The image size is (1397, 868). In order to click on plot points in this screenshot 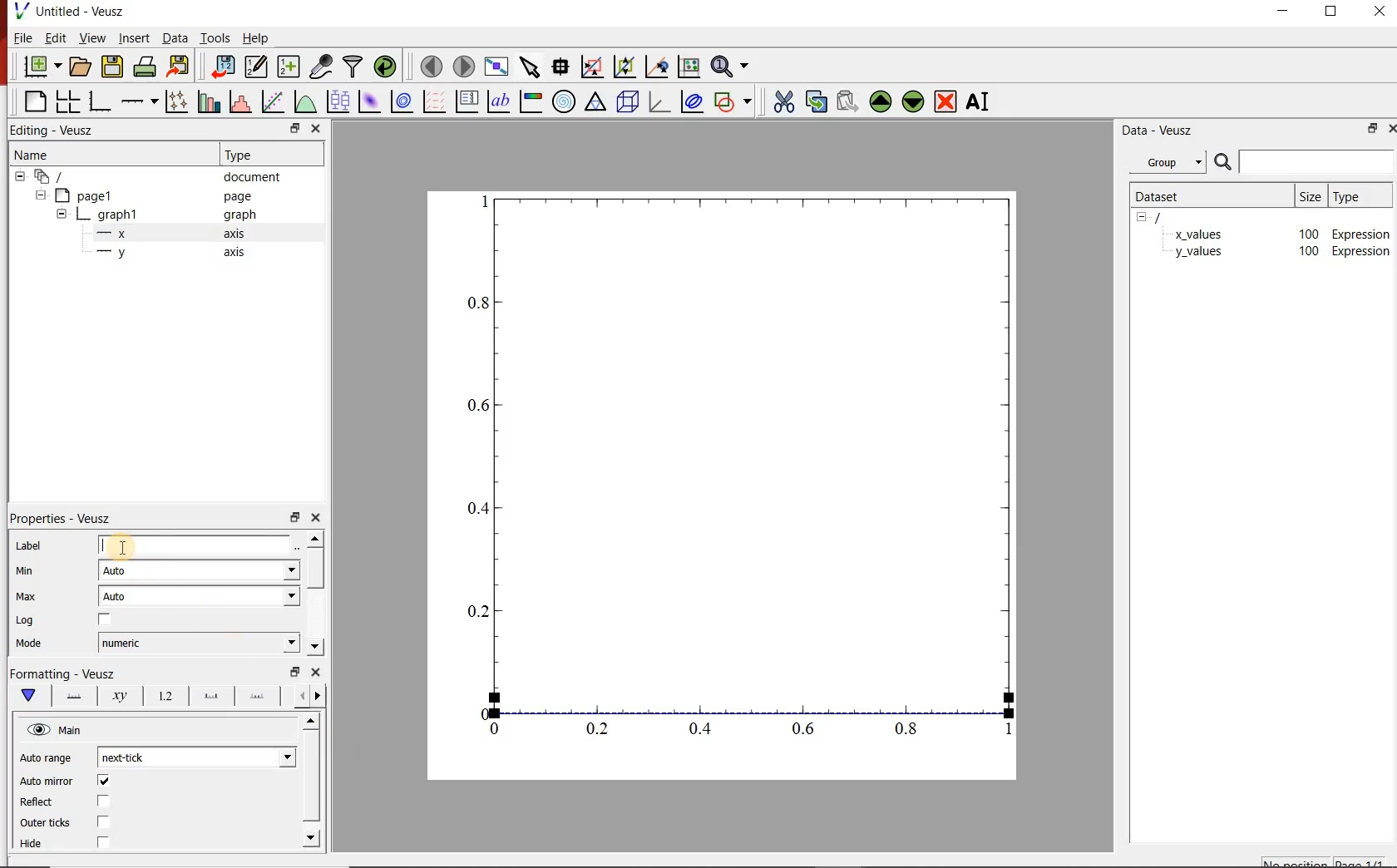, I will do `click(175, 102)`.